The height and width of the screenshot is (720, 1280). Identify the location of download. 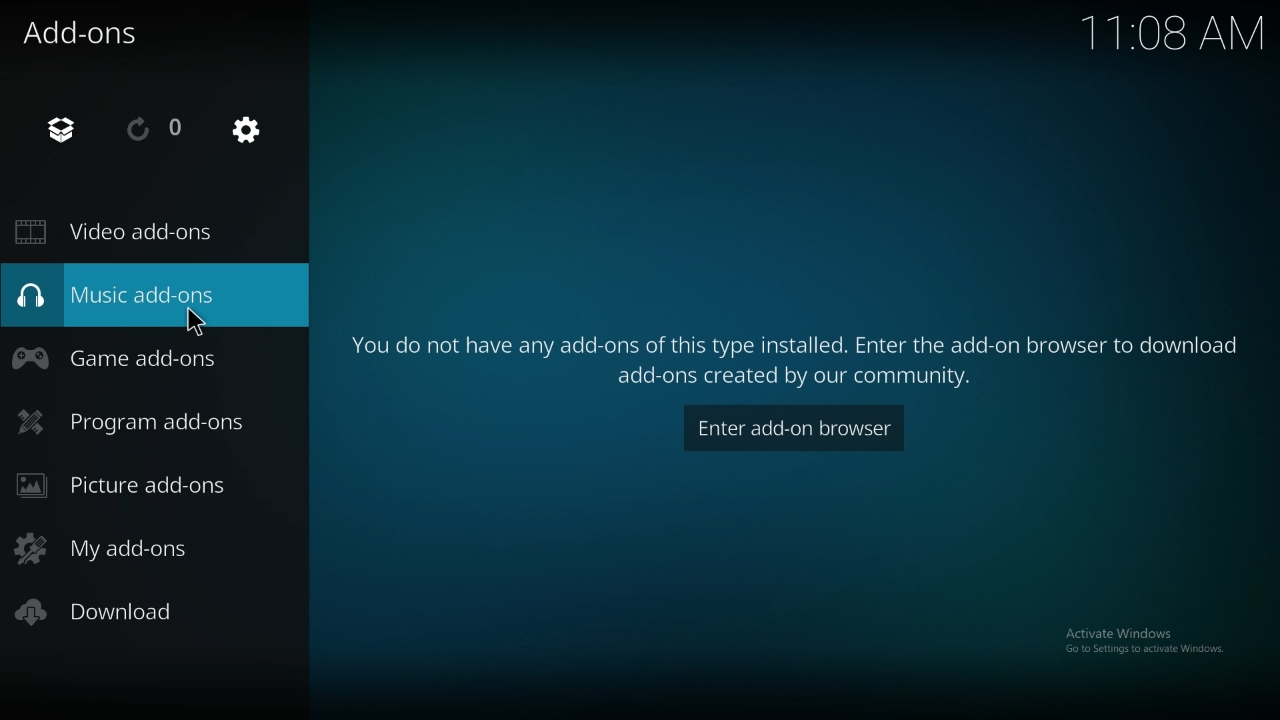
(105, 613).